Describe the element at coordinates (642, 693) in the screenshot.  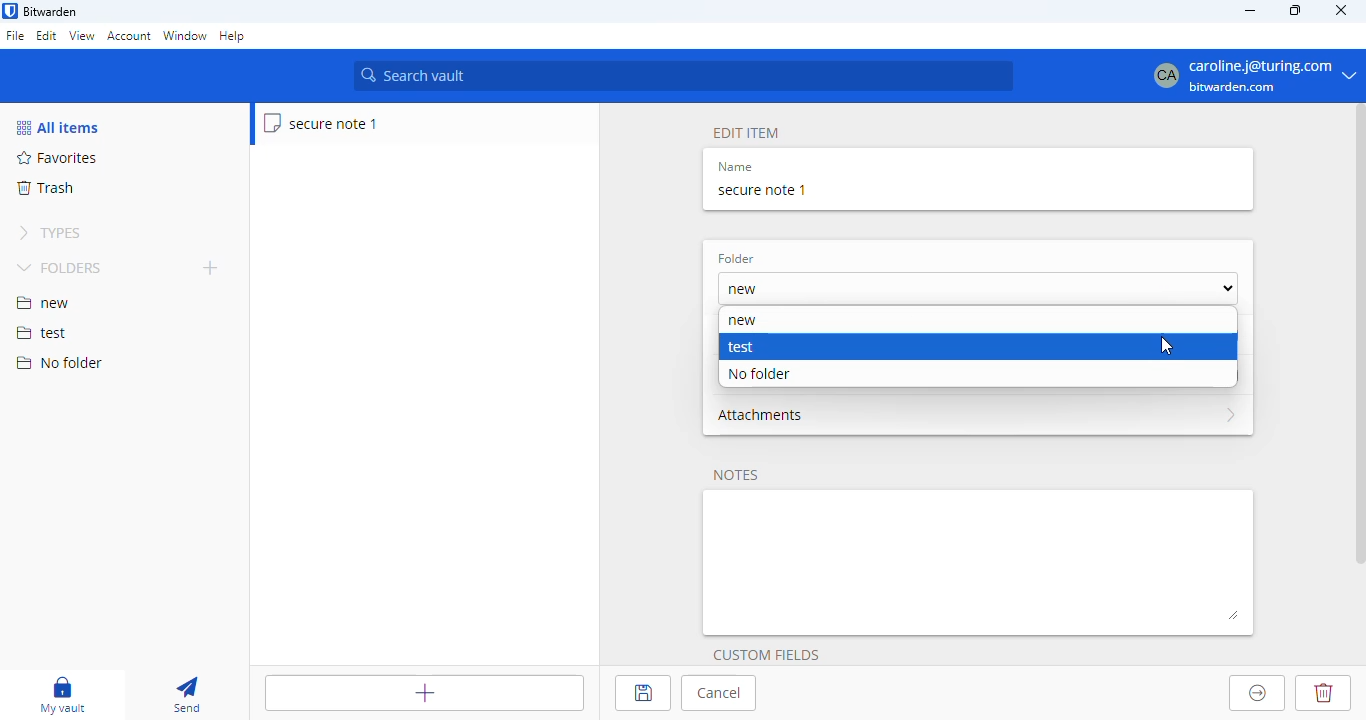
I see `save` at that location.